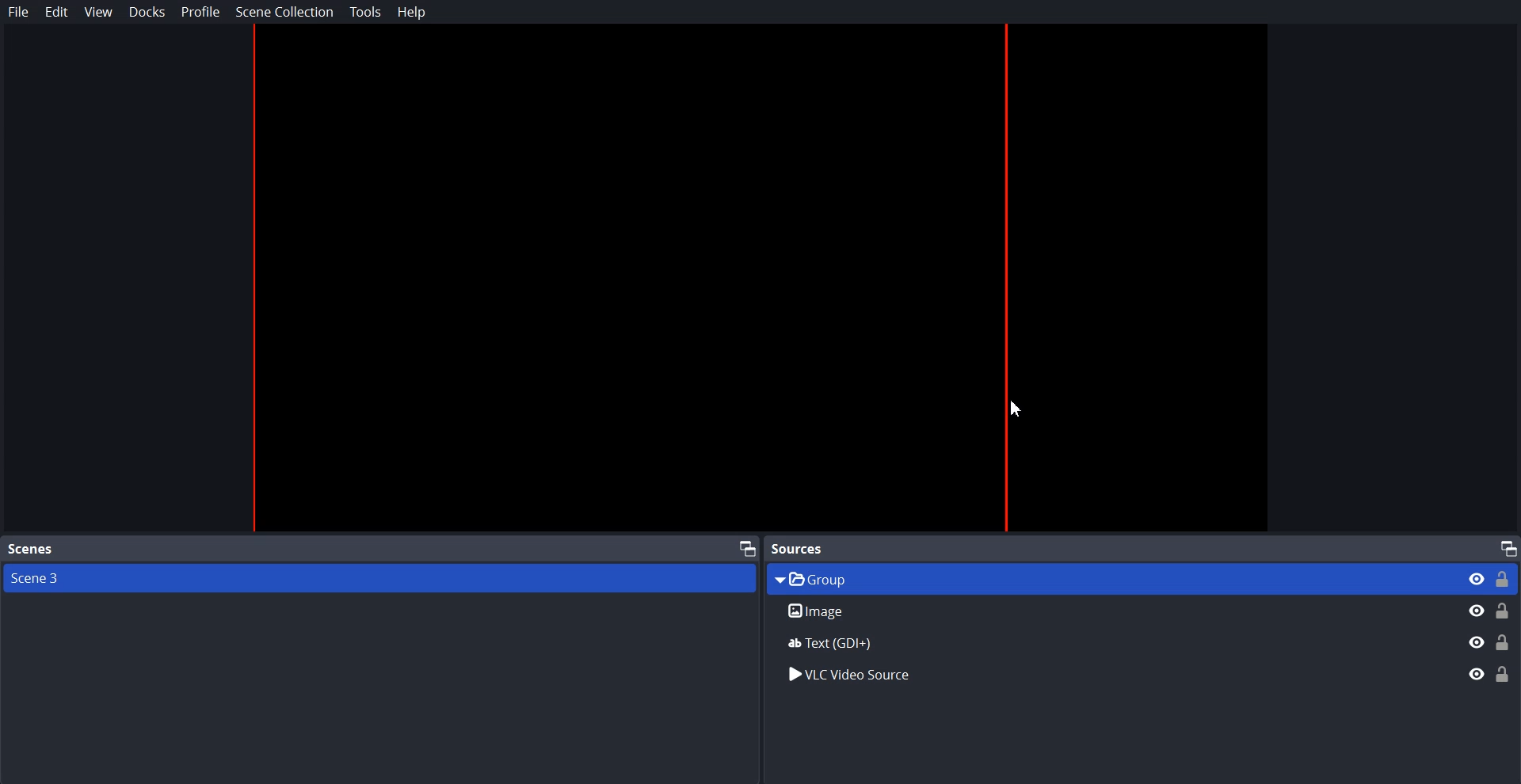  I want to click on Tools, so click(366, 12).